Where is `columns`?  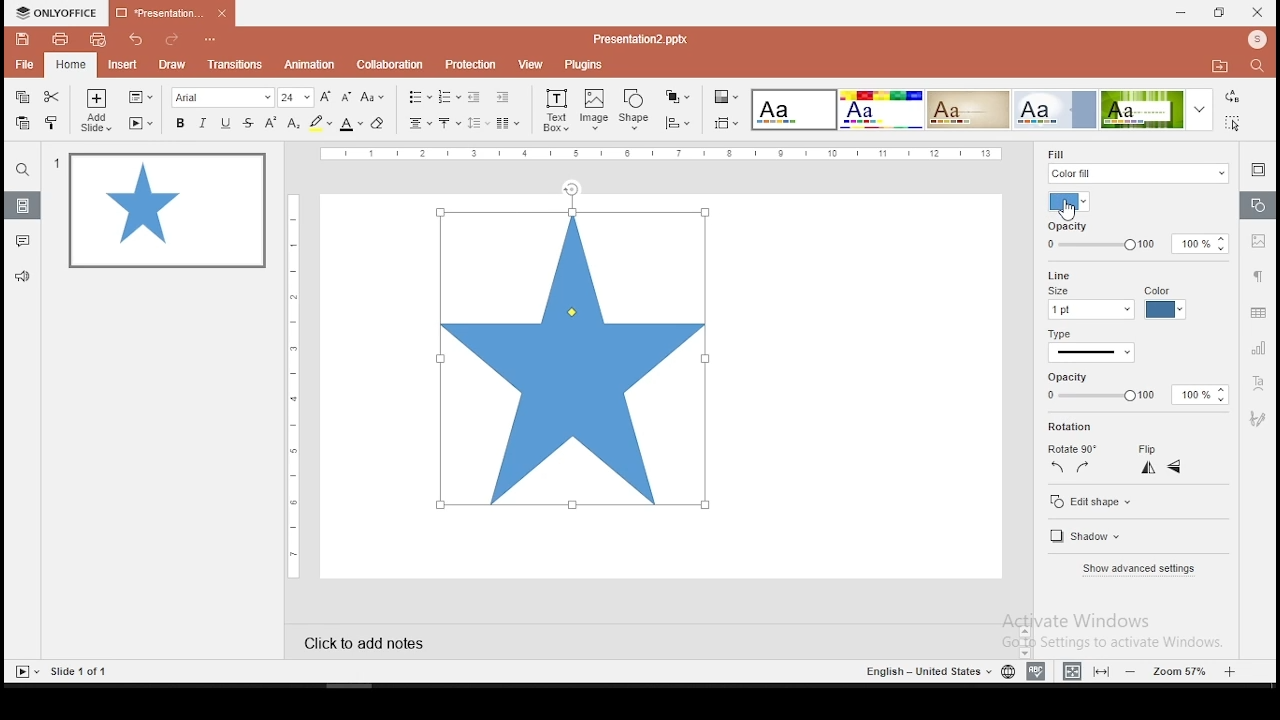 columns is located at coordinates (506, 122).